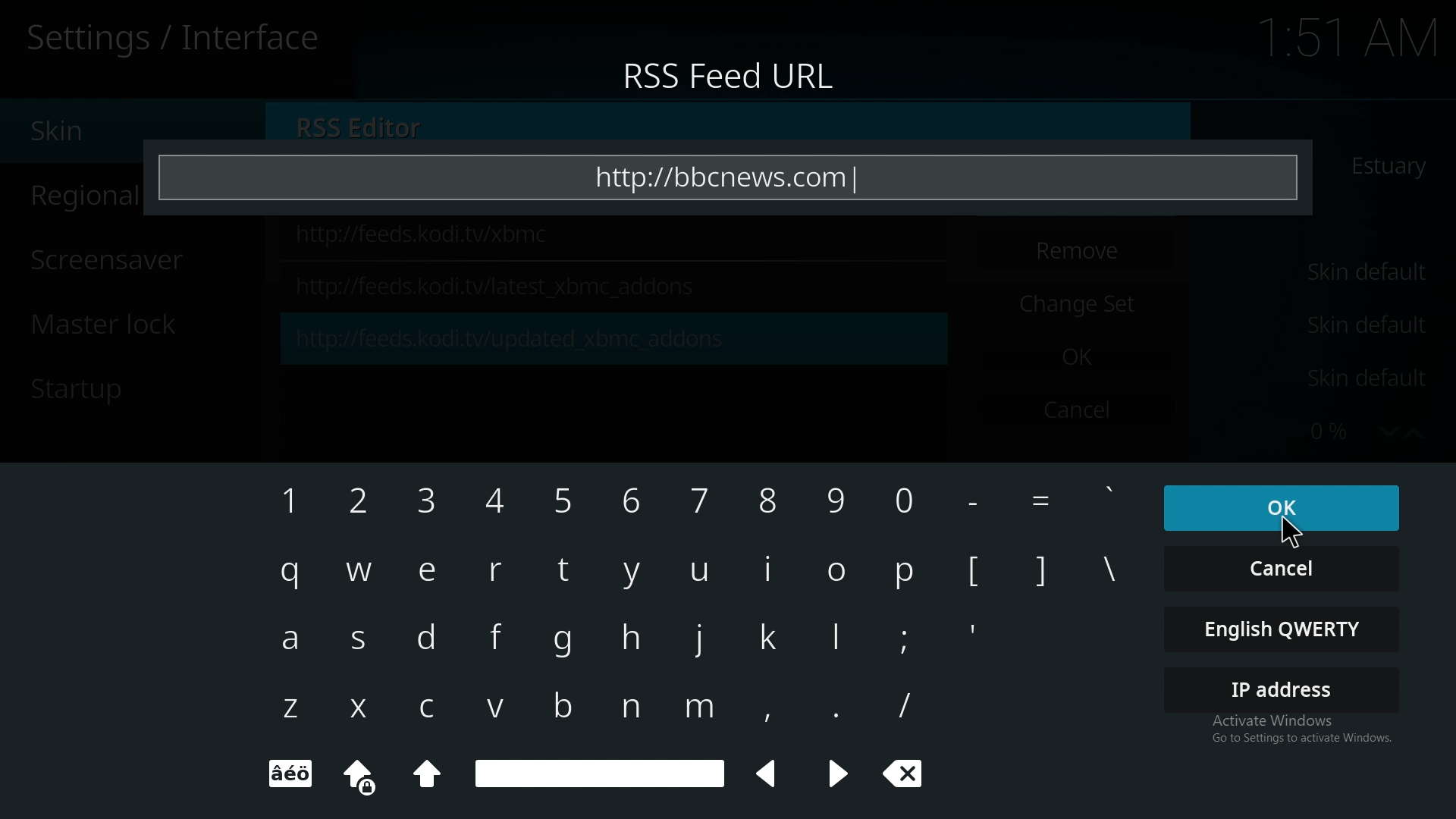 This screenshot has height=819, width=1456. Describe the element at coordinates (504, 504) in the screenshot. I see `4` at that location.